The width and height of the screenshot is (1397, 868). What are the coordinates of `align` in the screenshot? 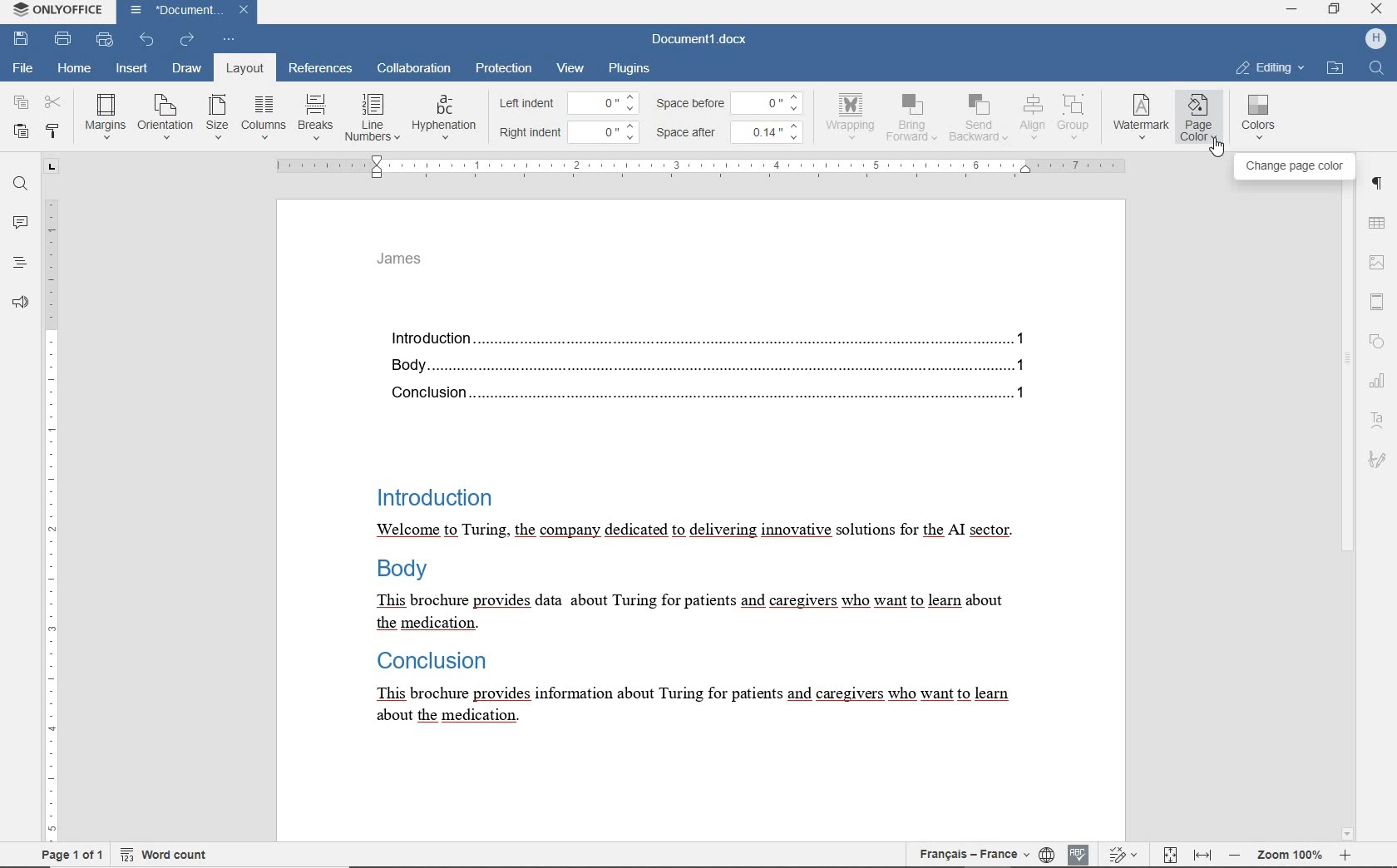 It's located at (1031, 116).